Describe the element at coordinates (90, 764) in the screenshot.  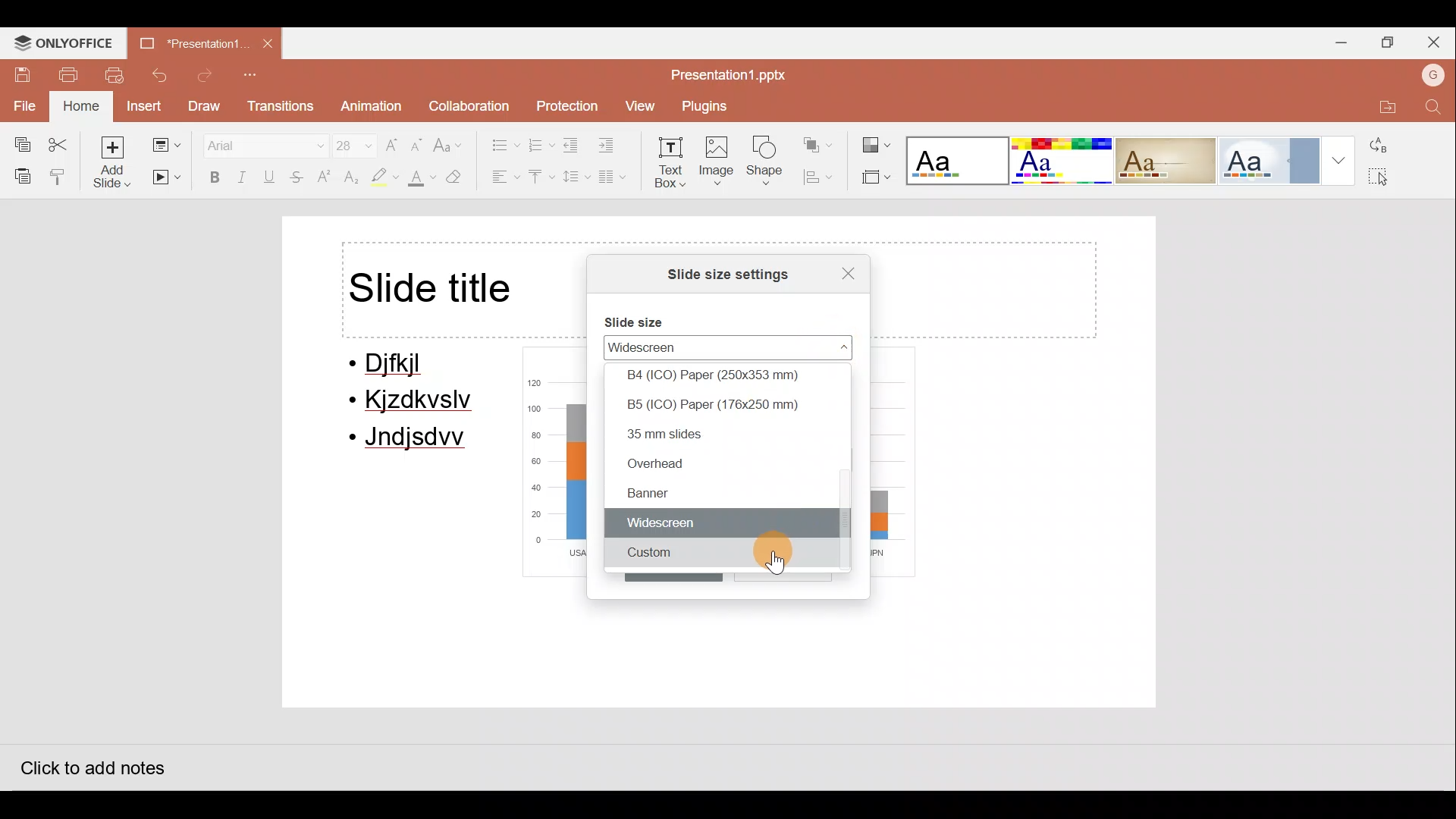
I see `Click to add notes` at that location.